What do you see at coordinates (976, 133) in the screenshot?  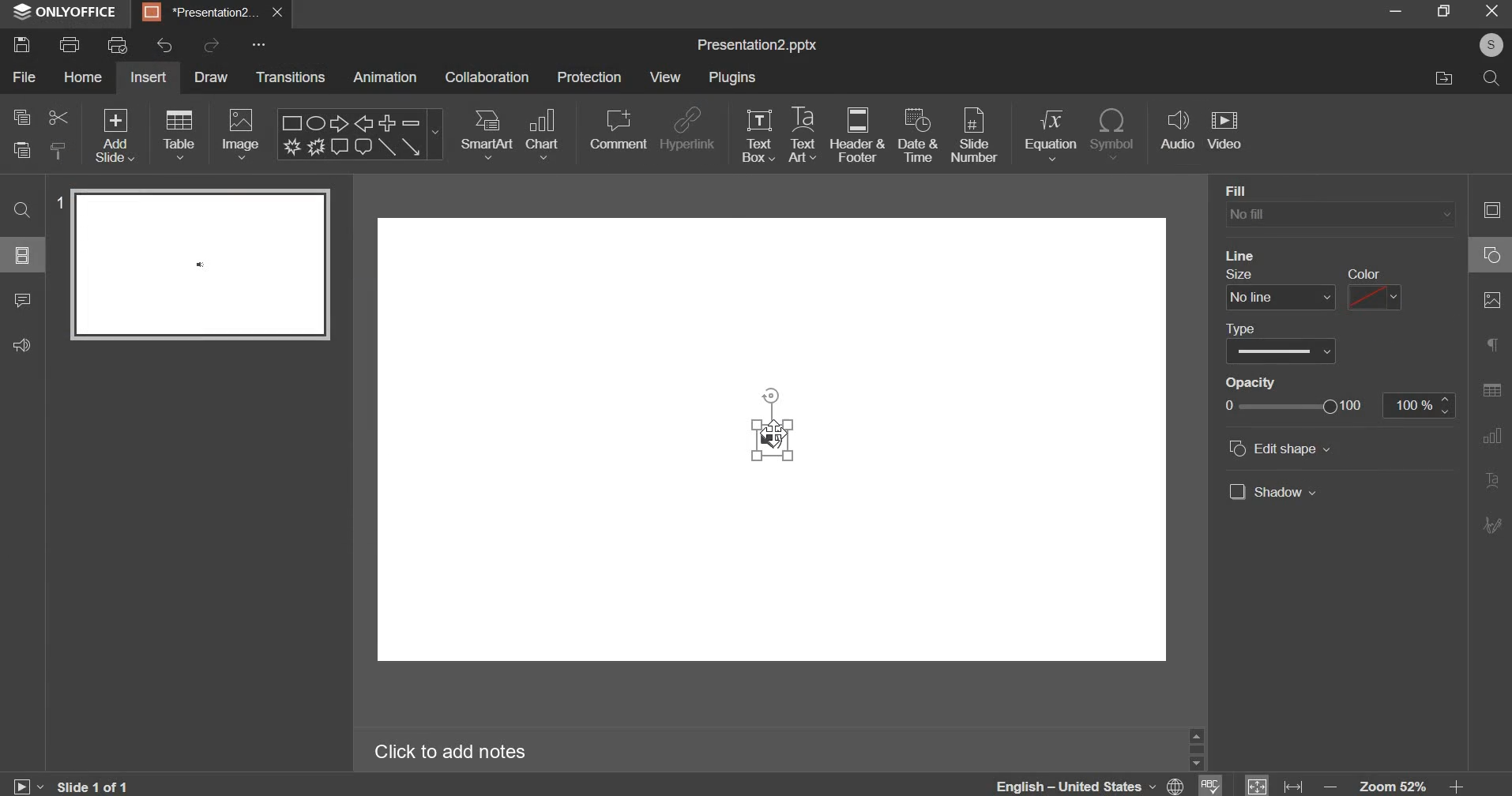 I see `slide number` at bounding box center [976, 133].